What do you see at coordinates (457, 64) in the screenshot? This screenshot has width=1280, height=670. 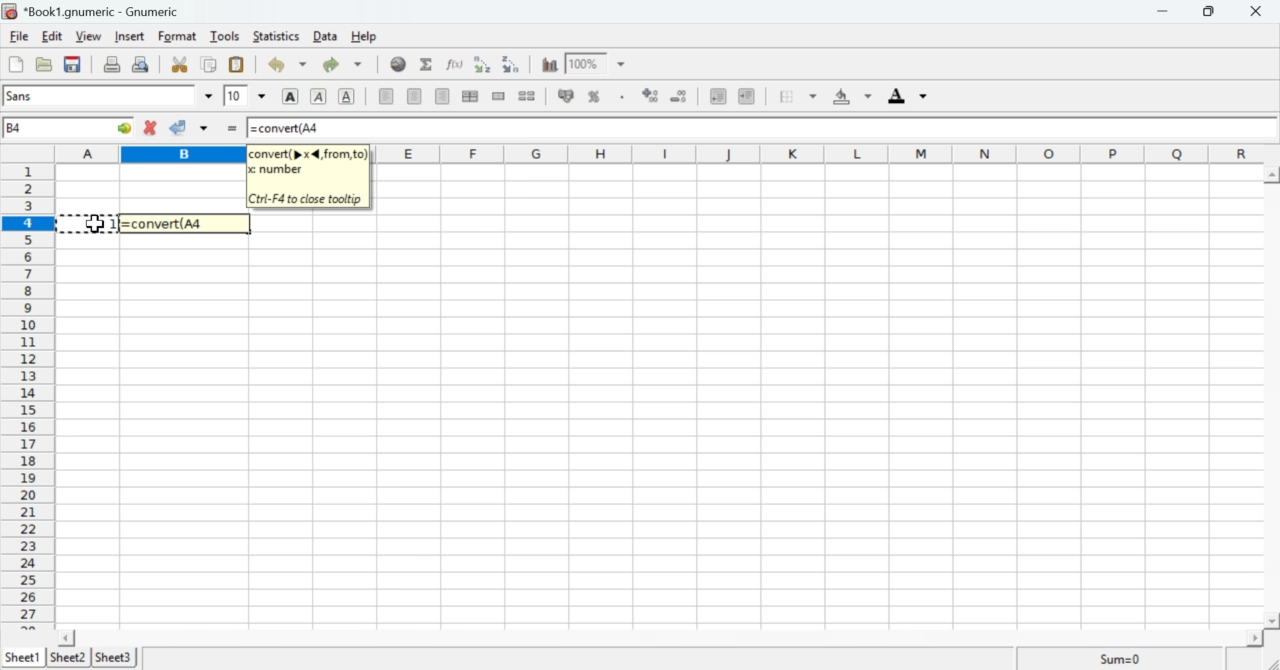 I see `Edit function` at bounding box center [457, 64].